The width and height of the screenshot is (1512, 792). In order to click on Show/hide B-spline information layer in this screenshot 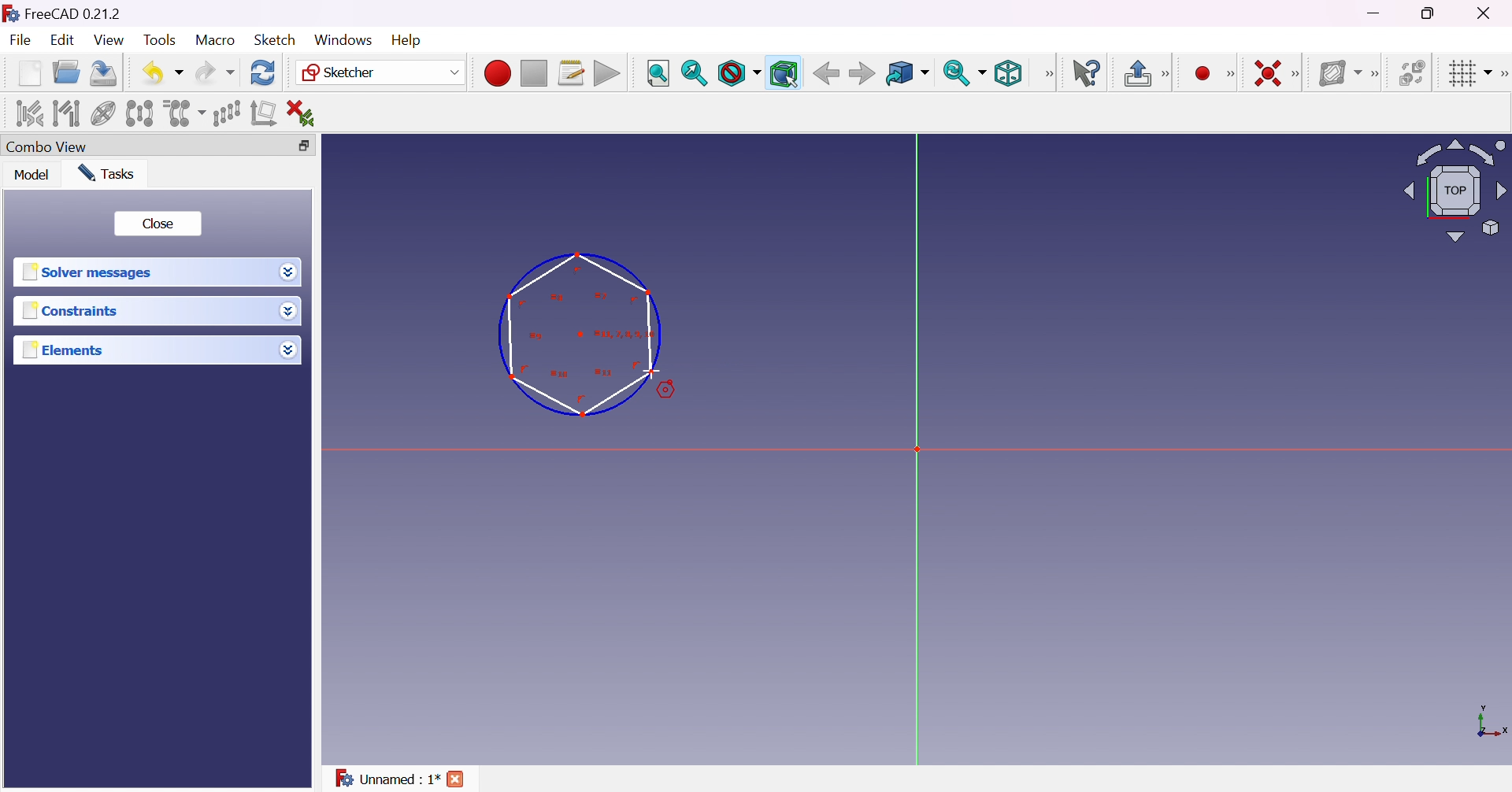, I will do `click(1339, 73)`.